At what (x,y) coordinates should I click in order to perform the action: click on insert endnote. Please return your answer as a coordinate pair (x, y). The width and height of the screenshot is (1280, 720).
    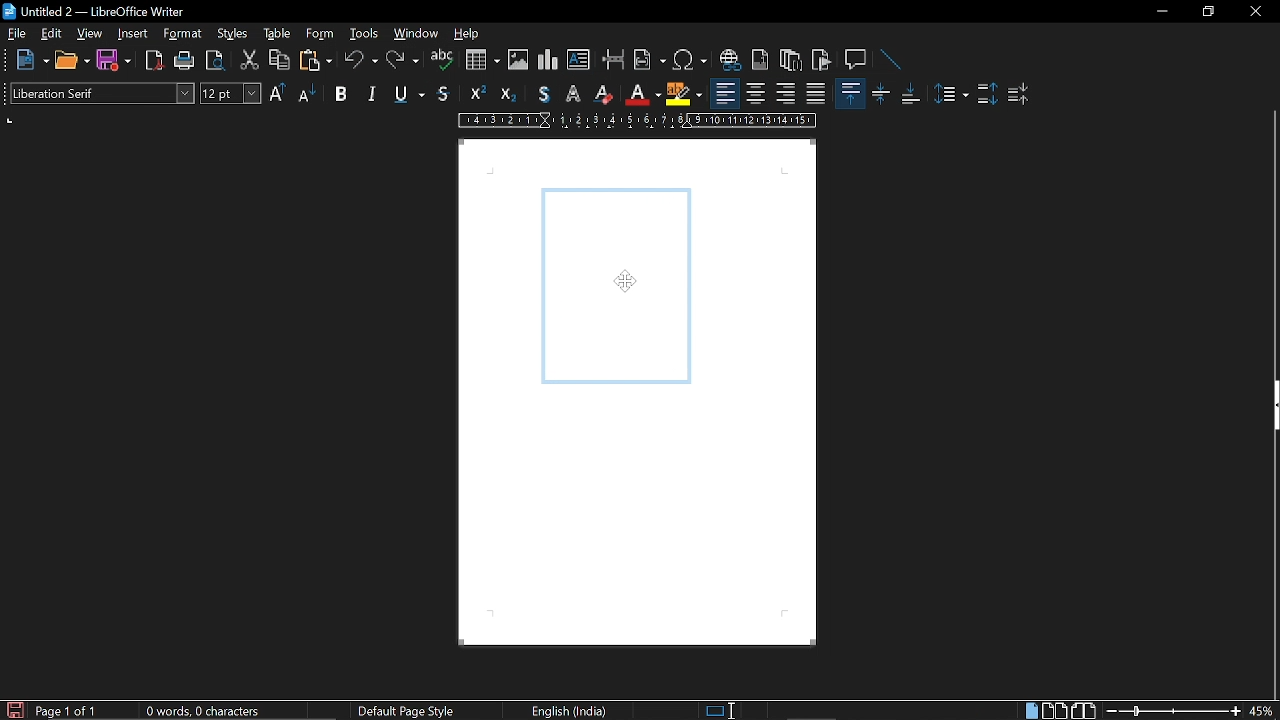
    Looking at the image, I should click on (789, 62).